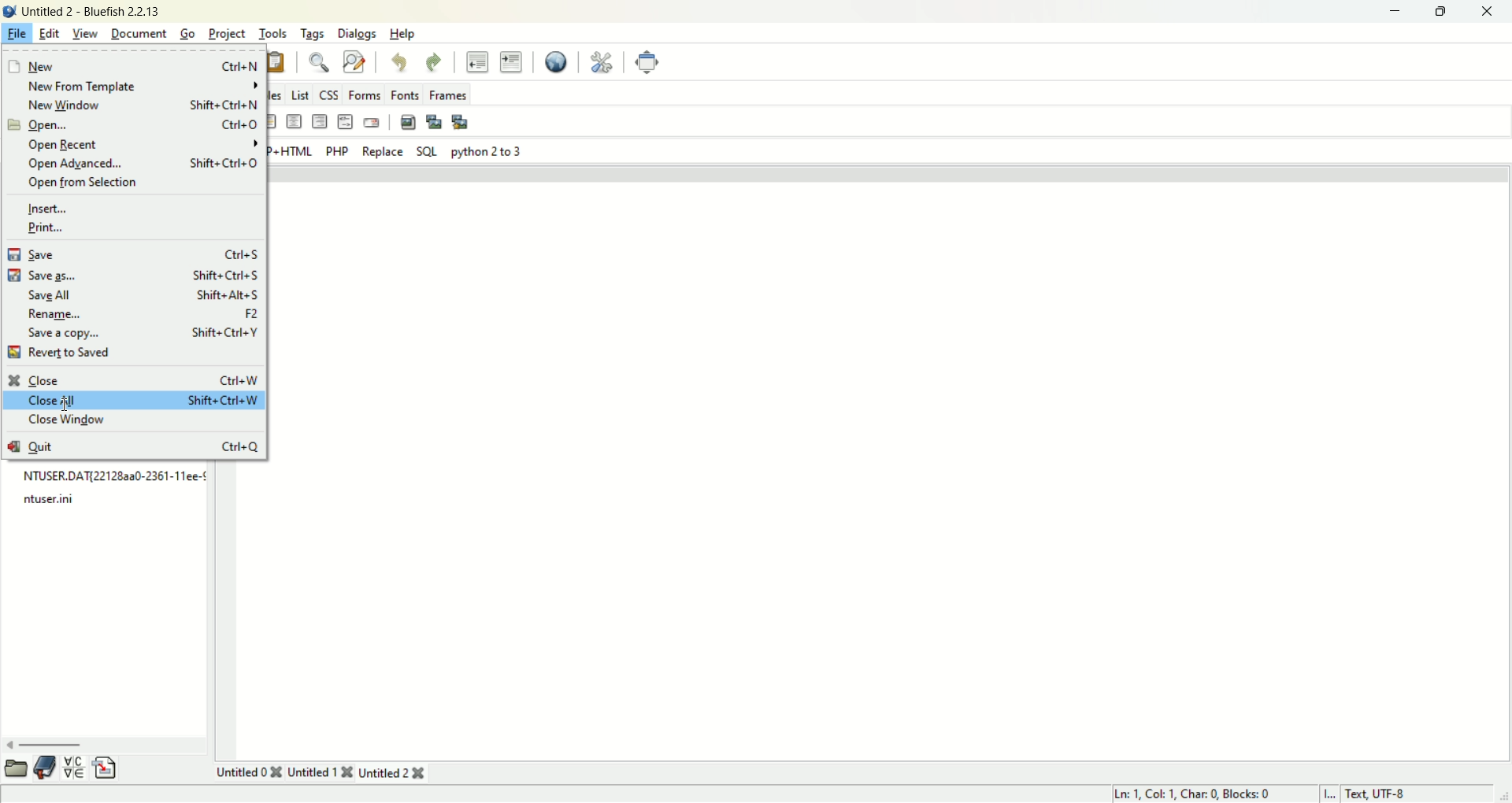 This screenshot has width=1512, height=803. I want to click on rename, so click(143, 313).